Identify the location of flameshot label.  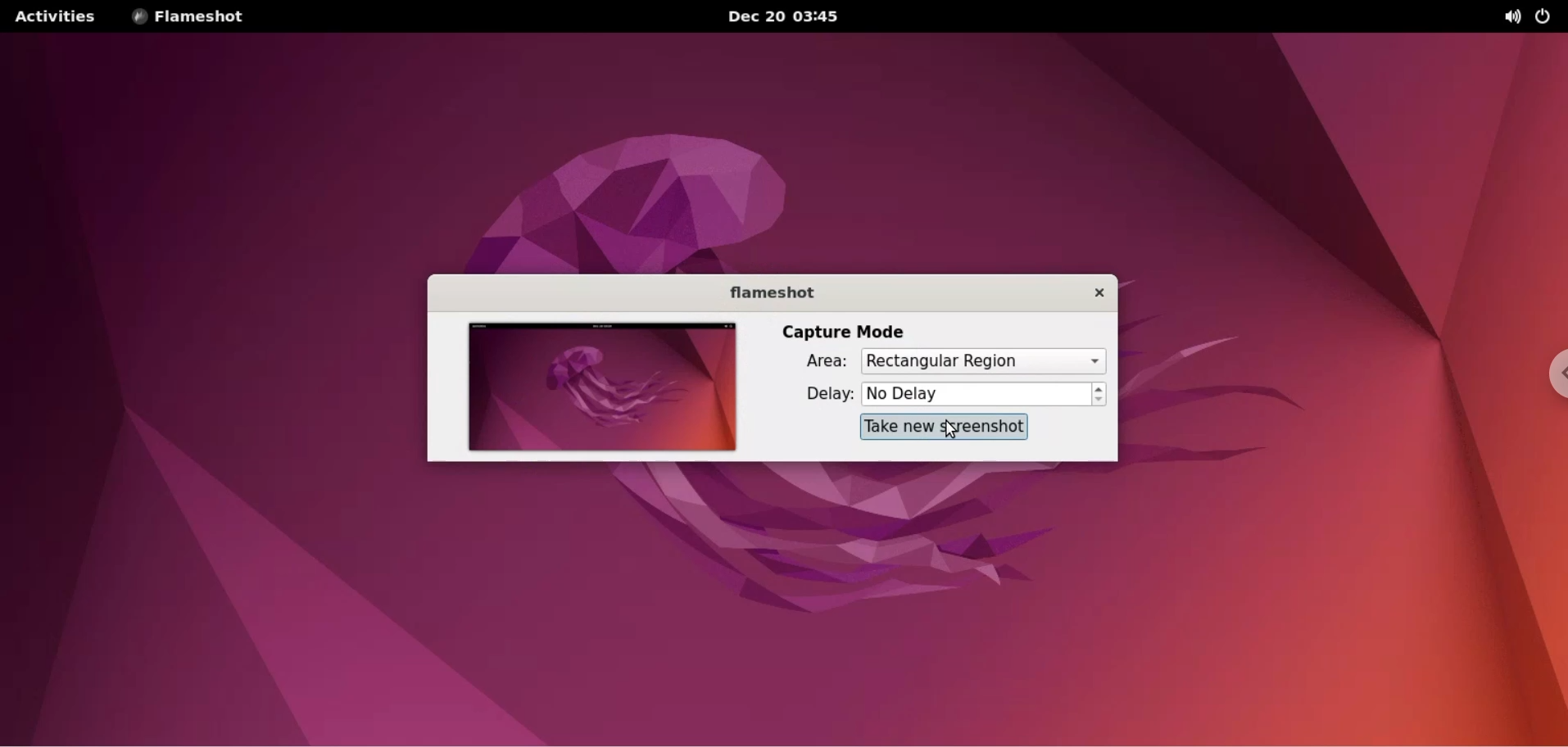
(773, 291).